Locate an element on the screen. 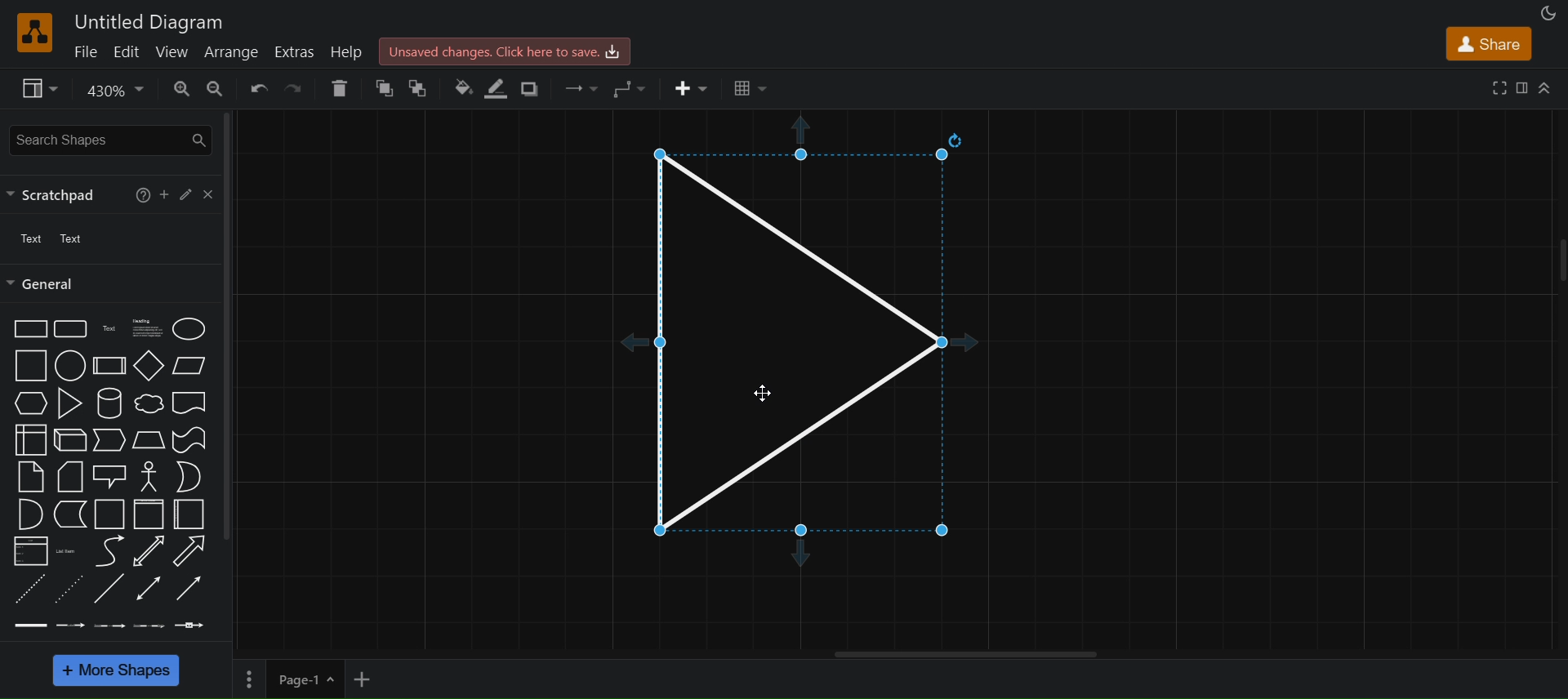  triangle is located at coordinates (845, 346).